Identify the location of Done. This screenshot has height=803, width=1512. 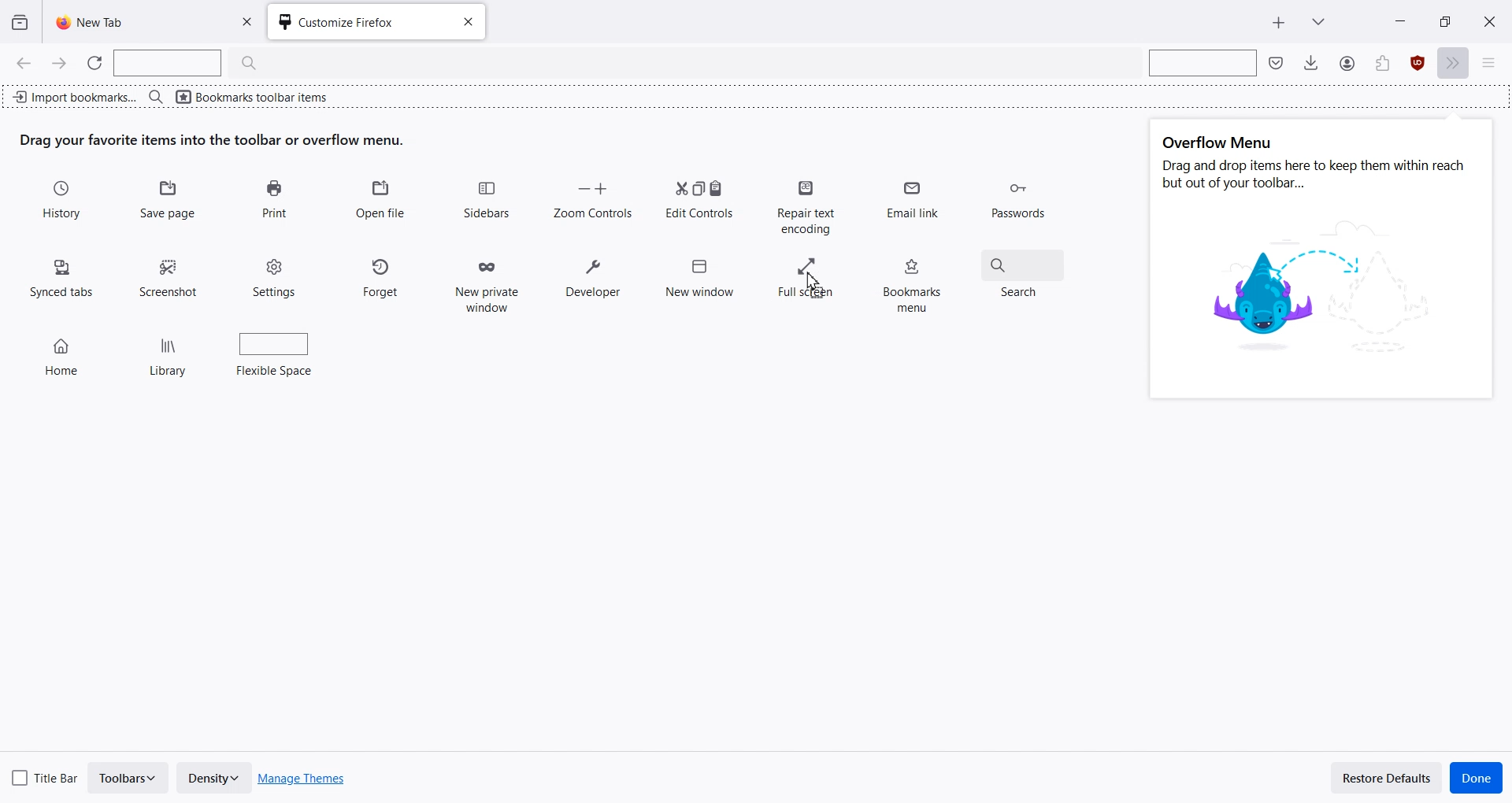
(1477, 778).